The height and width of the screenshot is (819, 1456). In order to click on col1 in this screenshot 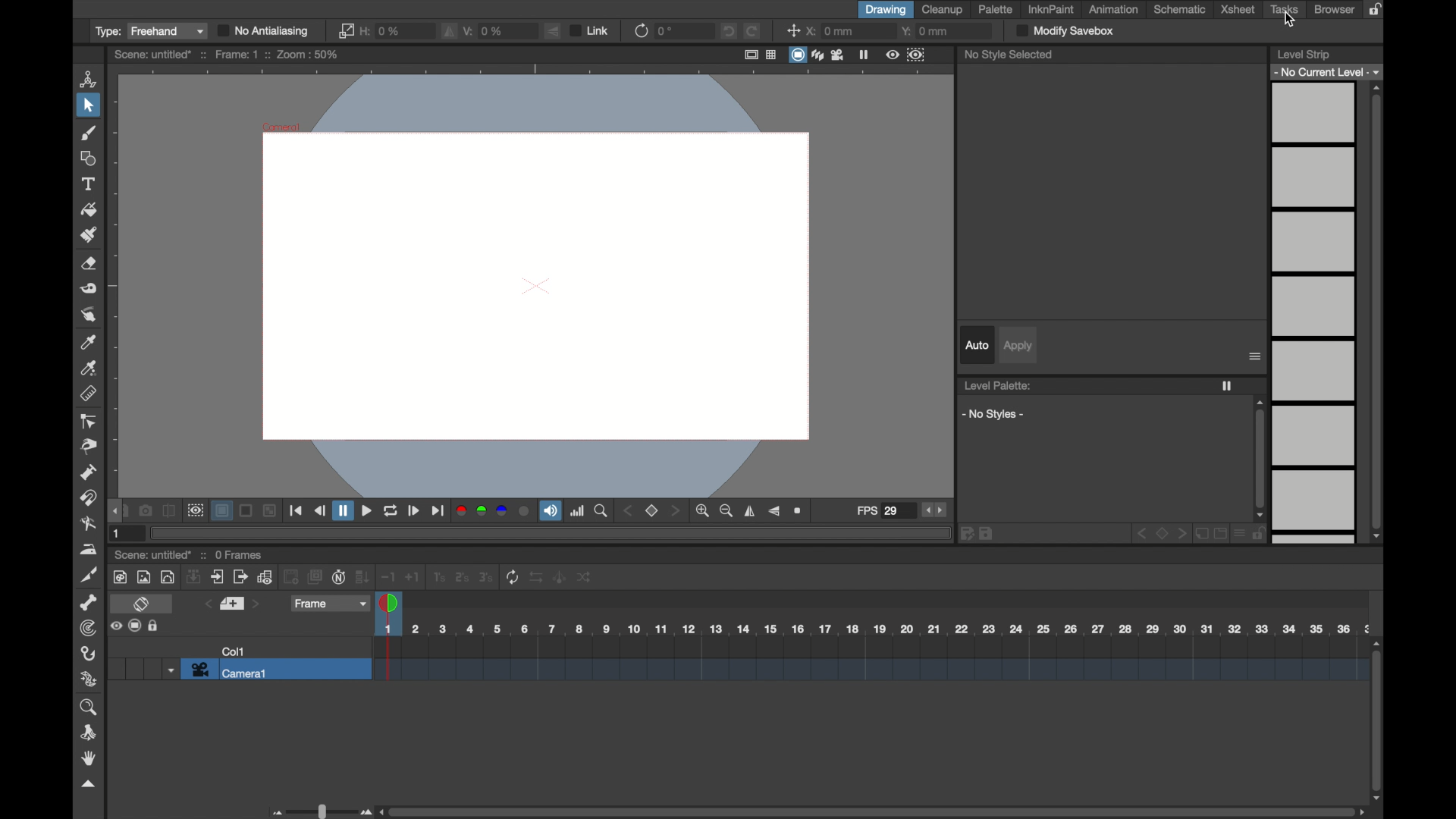, I will do `click(233, 651)`.